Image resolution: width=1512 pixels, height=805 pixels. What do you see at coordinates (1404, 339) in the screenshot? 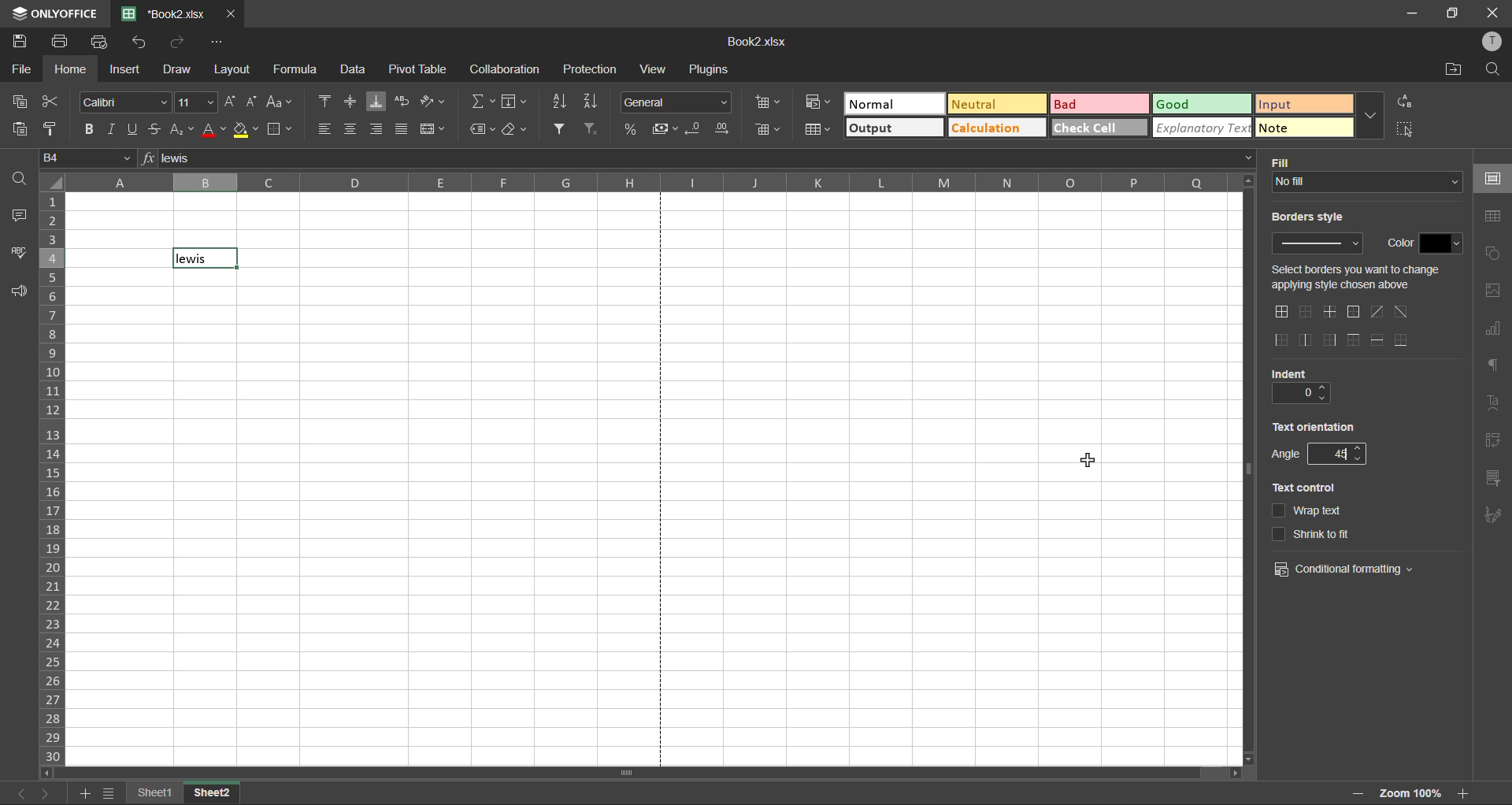
I see `outer bottom border only` at bounding box center [1404, 339].